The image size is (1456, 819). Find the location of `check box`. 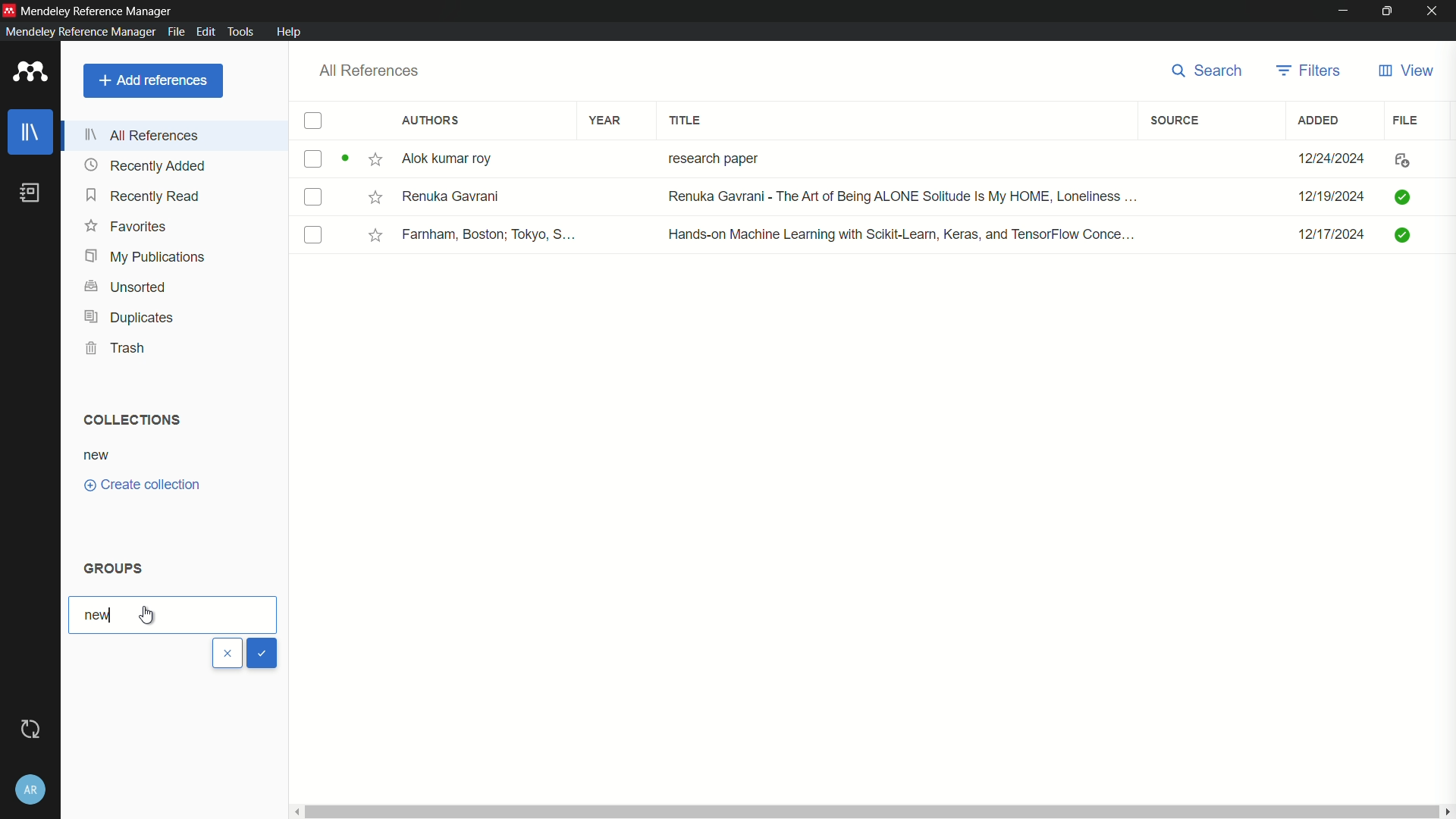

check box is located at coordinates (313, 122).